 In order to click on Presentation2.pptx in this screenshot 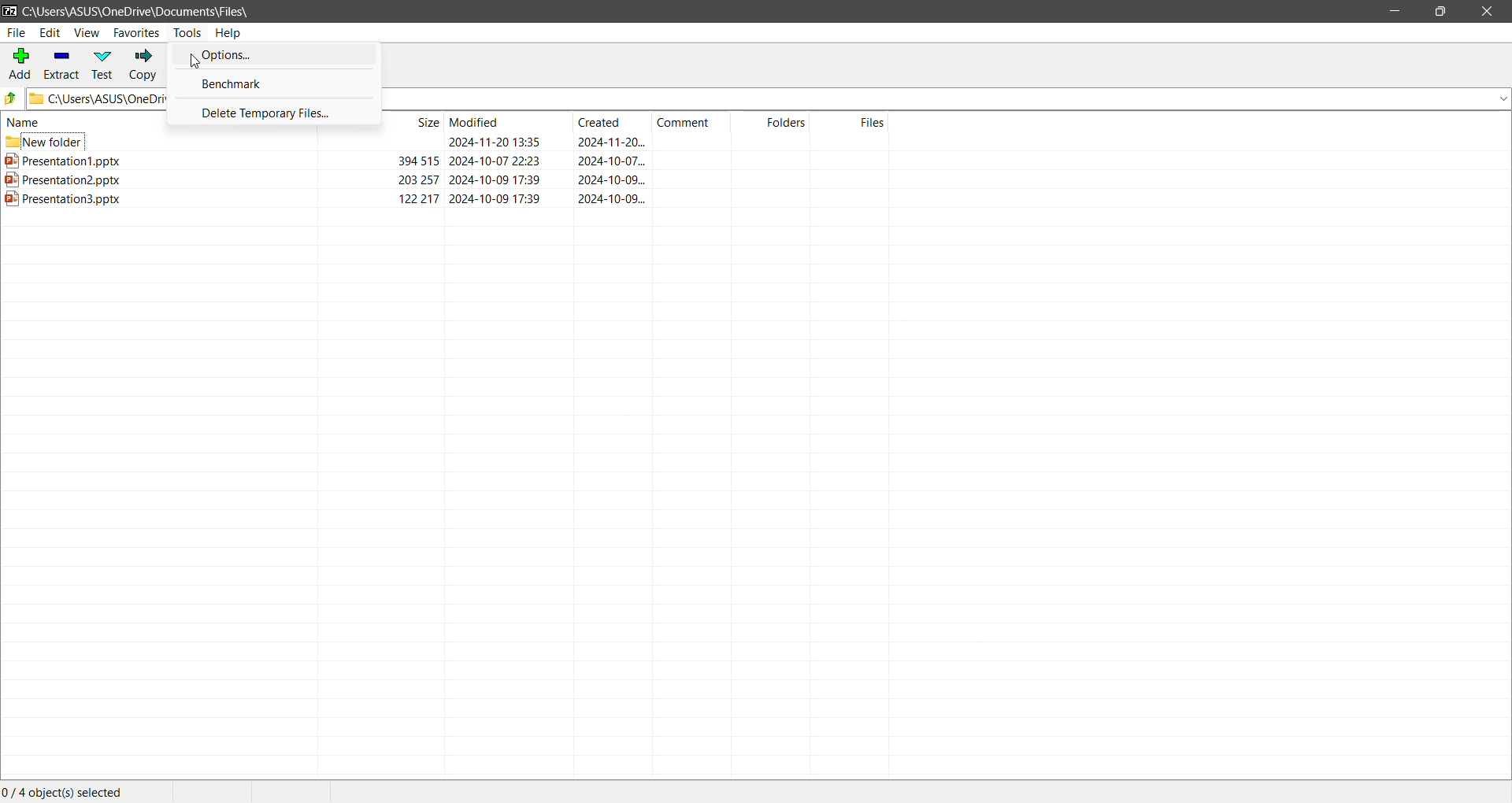, I will do `click(450, 181)`.